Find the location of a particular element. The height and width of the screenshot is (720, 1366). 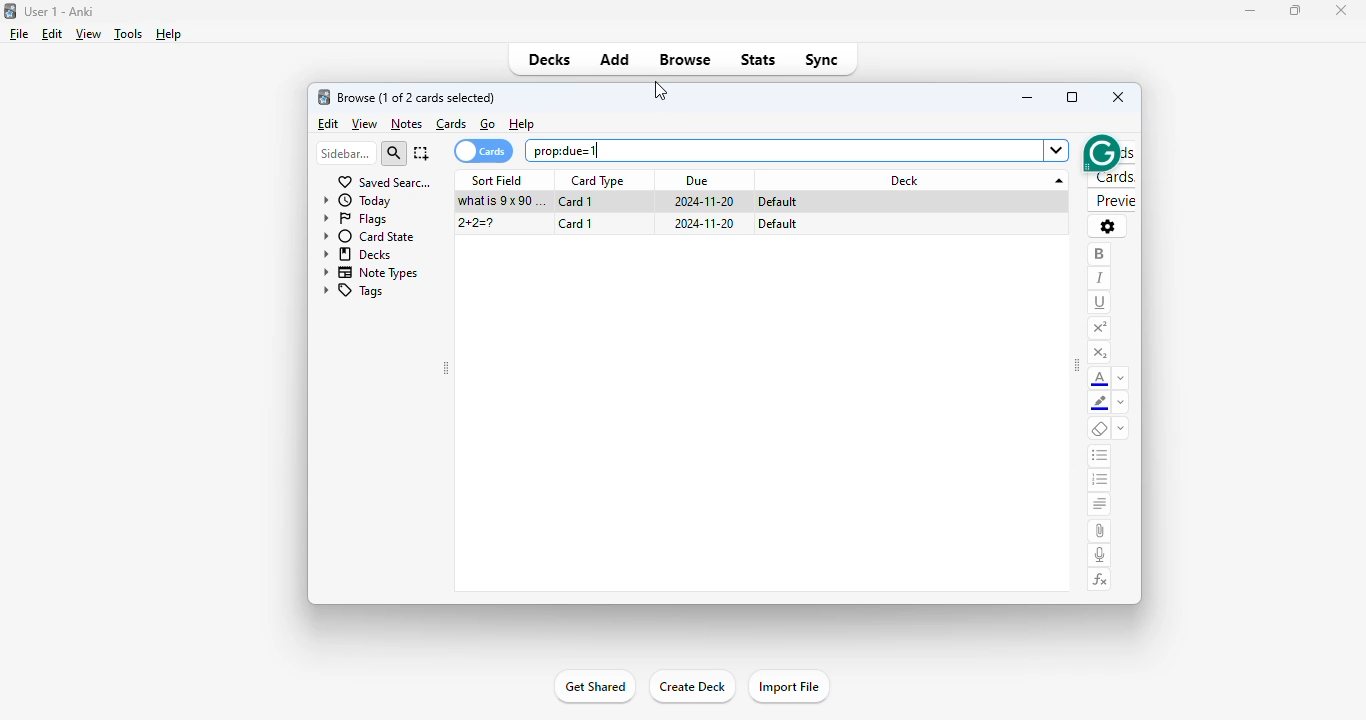

alignment is located at coordinates (1101, 505).